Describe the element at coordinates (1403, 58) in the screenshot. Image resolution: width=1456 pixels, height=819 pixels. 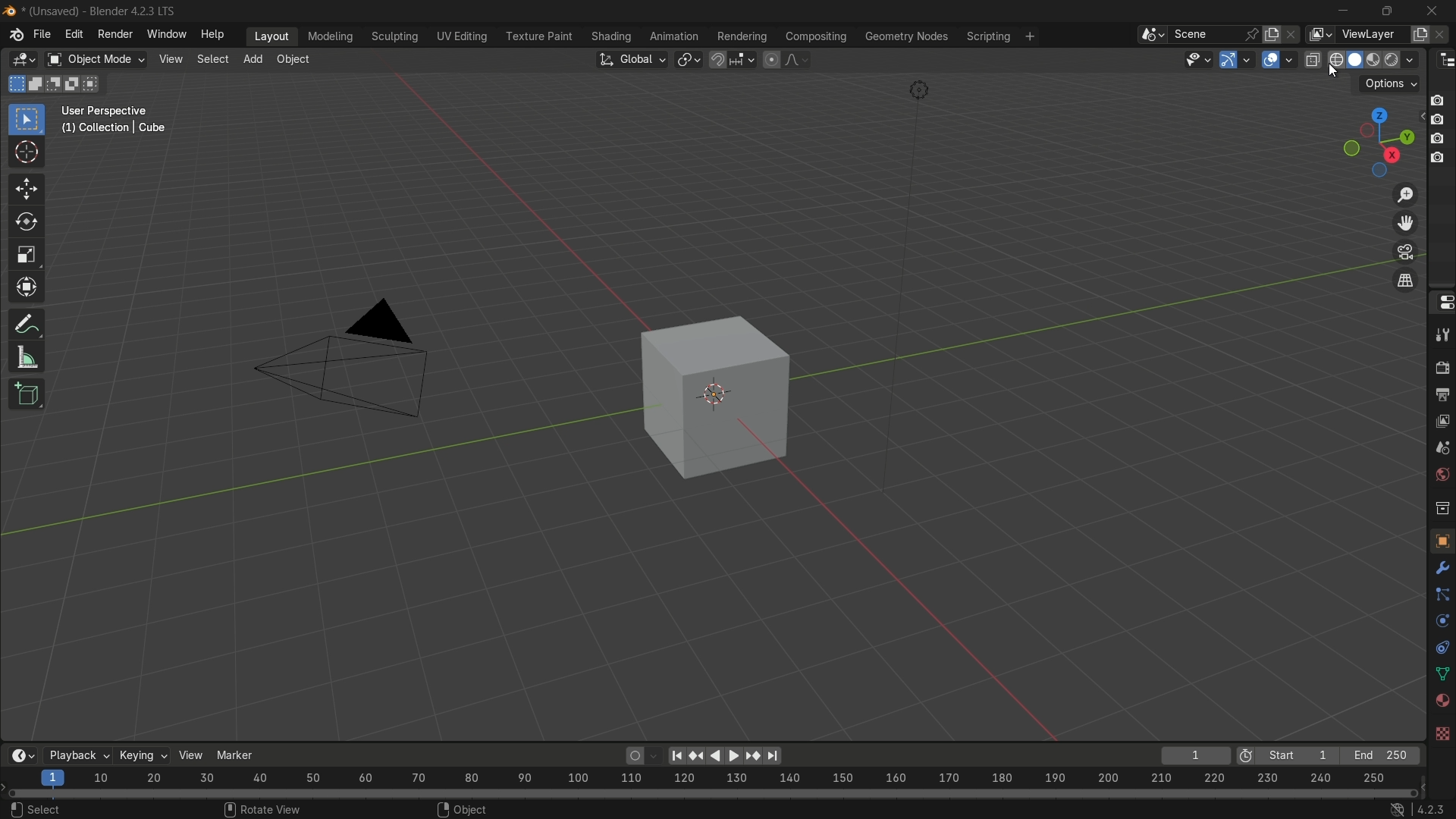
I see `rendered mode` at that location.